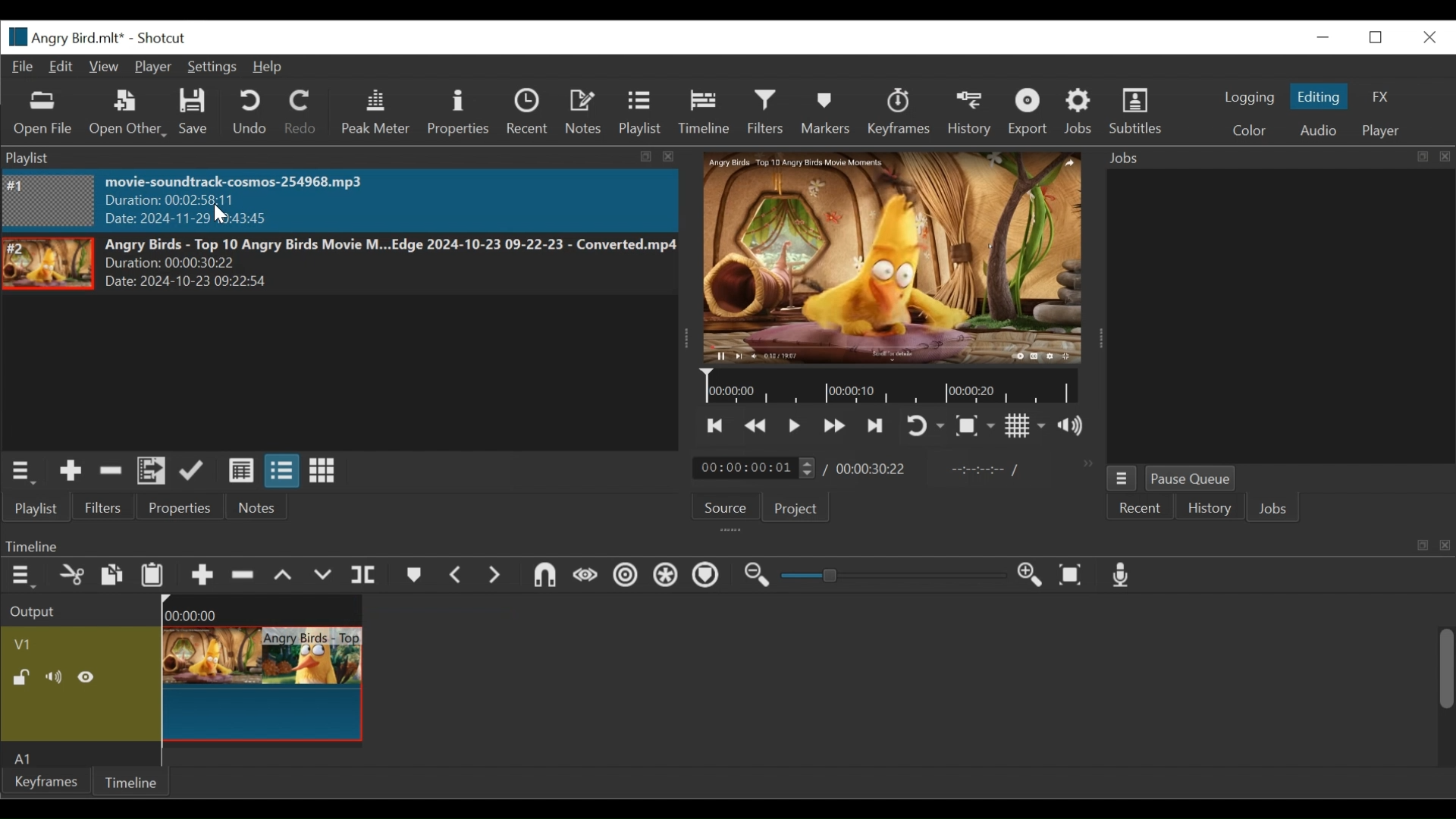 This screenshot has width=1456, height=819. Describe the element at coordinates (767, 114) in the screenshot. I see `Filters` at that location.